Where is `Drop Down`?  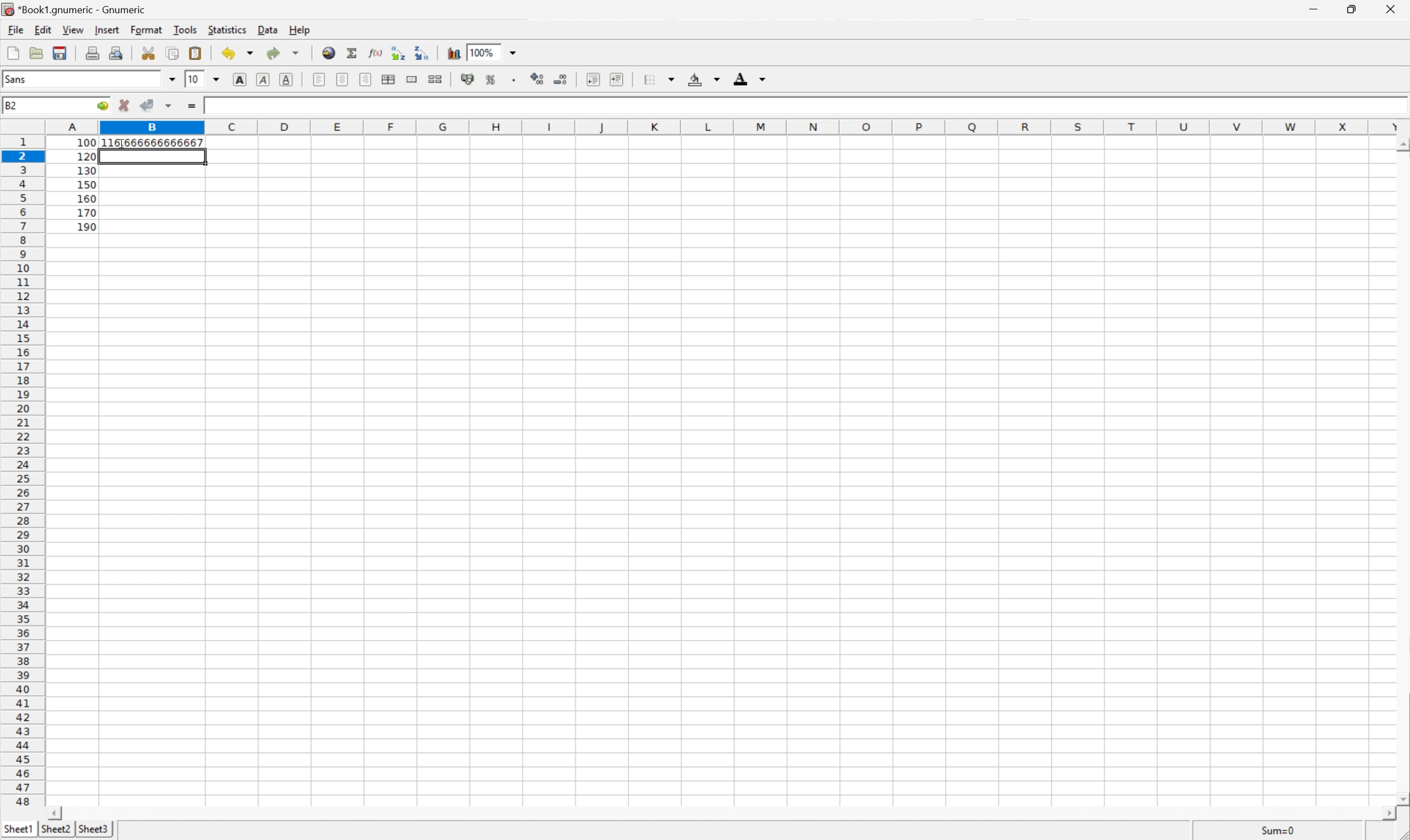
Drop Down is located at coordinates (174, 79).